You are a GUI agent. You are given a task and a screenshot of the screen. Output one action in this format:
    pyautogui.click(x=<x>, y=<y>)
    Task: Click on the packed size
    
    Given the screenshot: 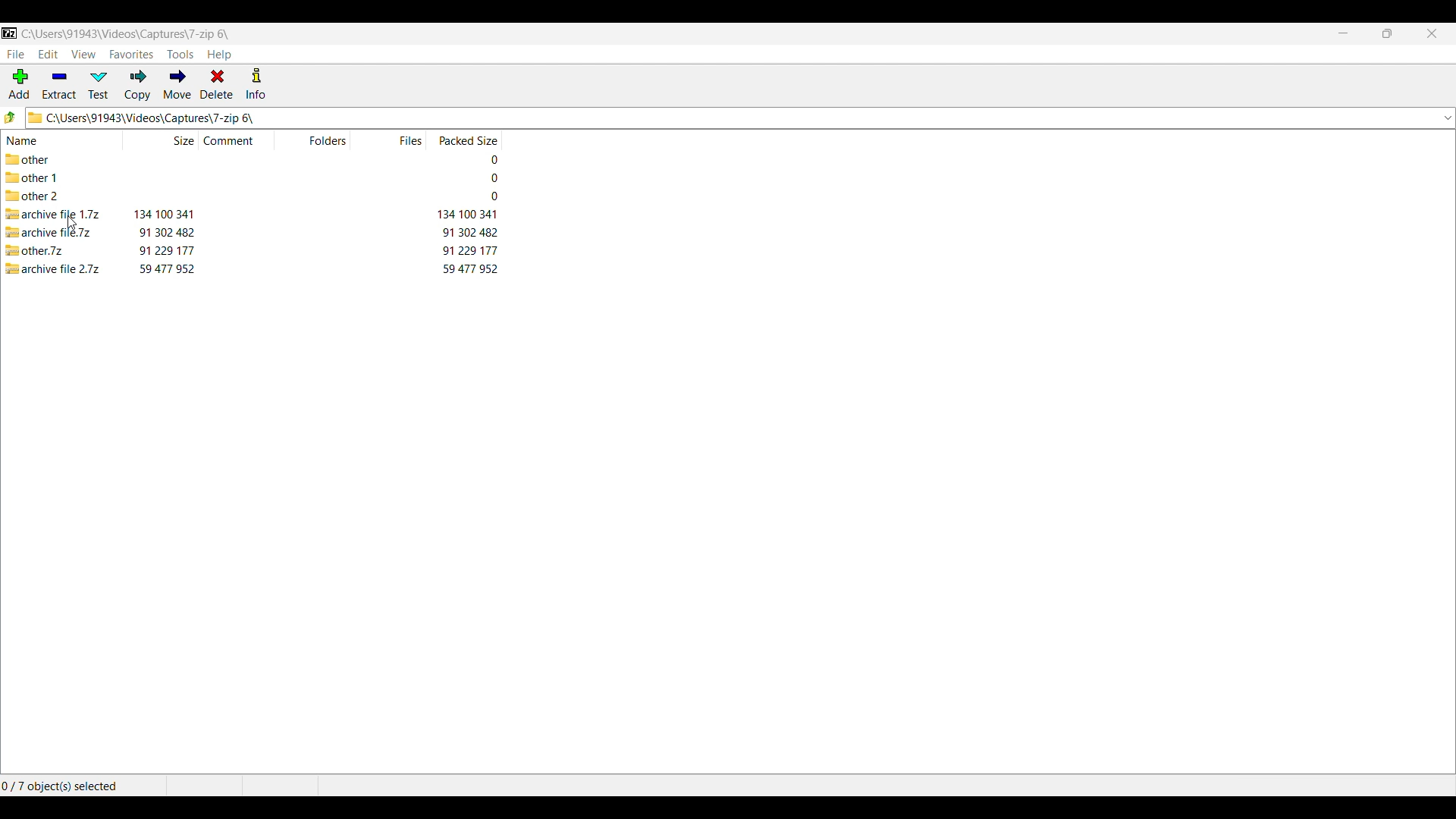 What is the action you would take?
    pyautogui.click(x=488, y=178)
    